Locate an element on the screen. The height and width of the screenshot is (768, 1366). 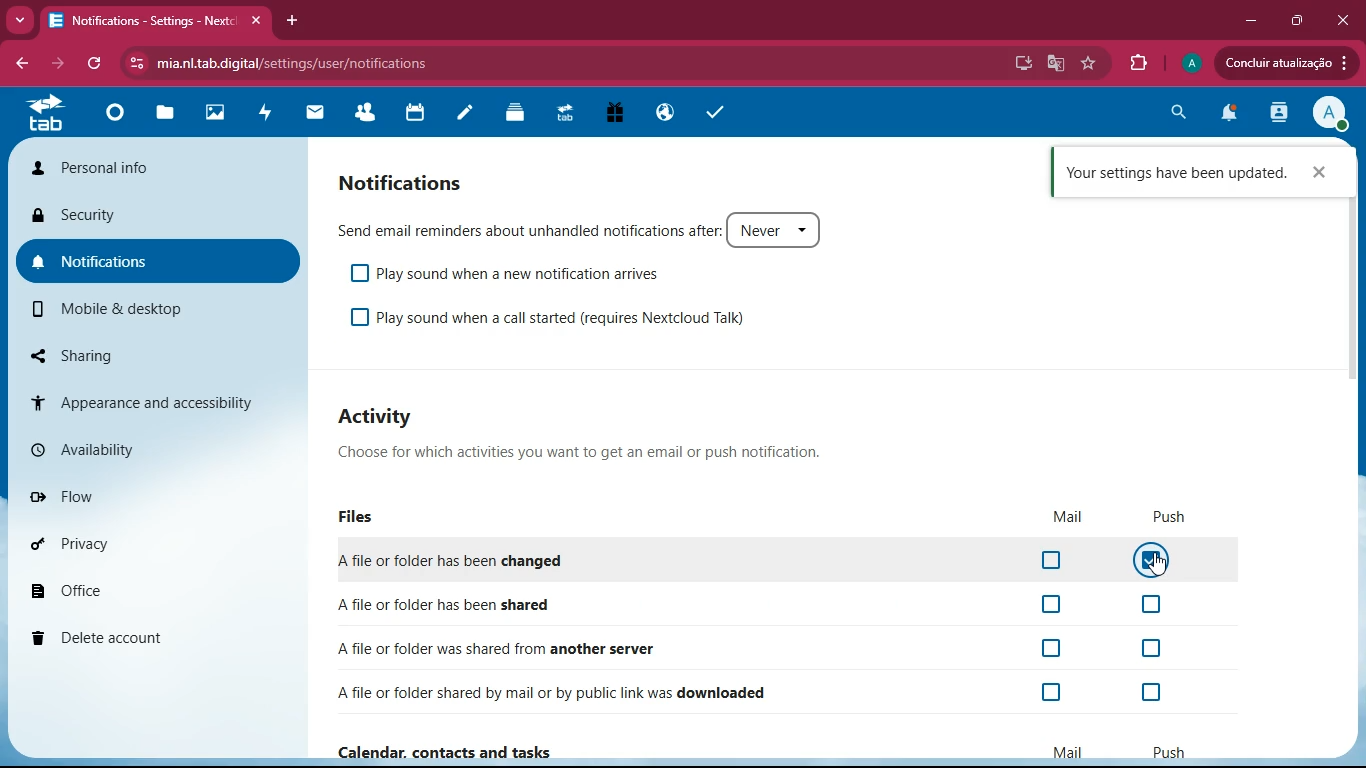
files is located at coordinates (359, 517).